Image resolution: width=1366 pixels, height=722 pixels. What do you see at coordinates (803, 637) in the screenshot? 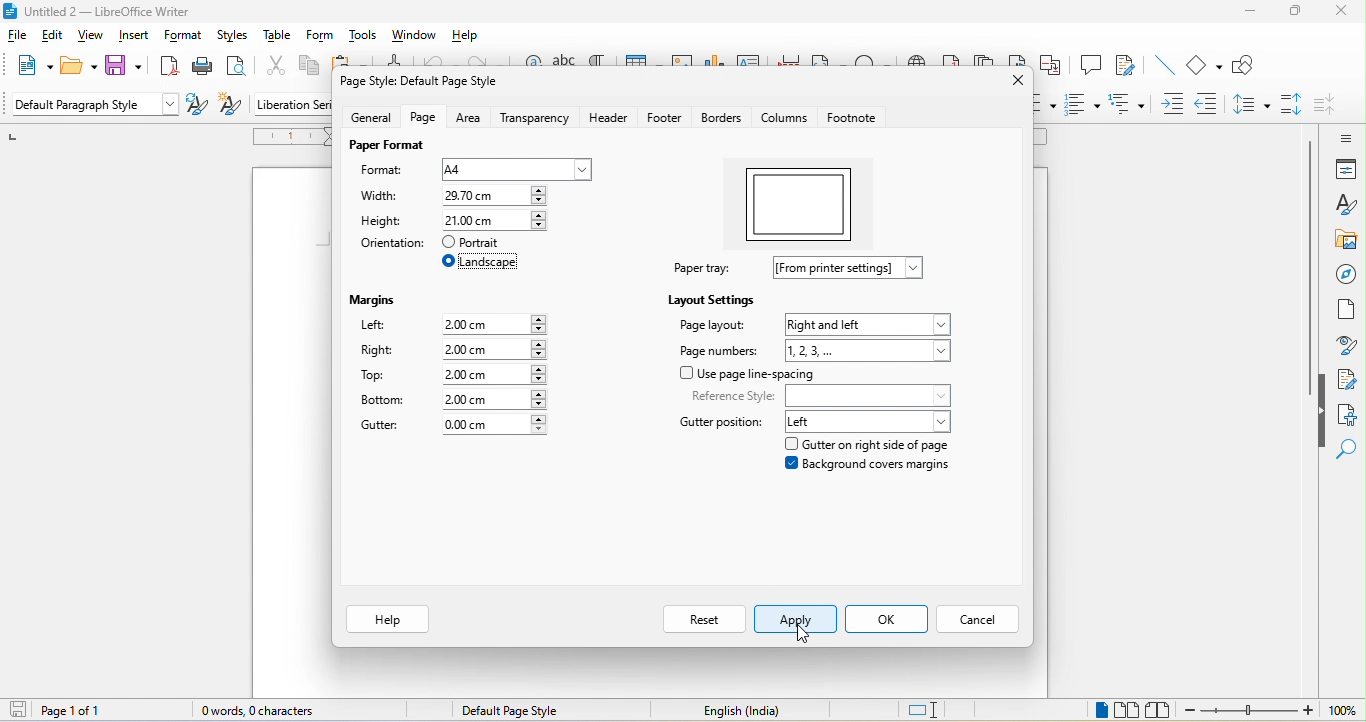
I see `cursor movement` at bounding box center [803, 637].